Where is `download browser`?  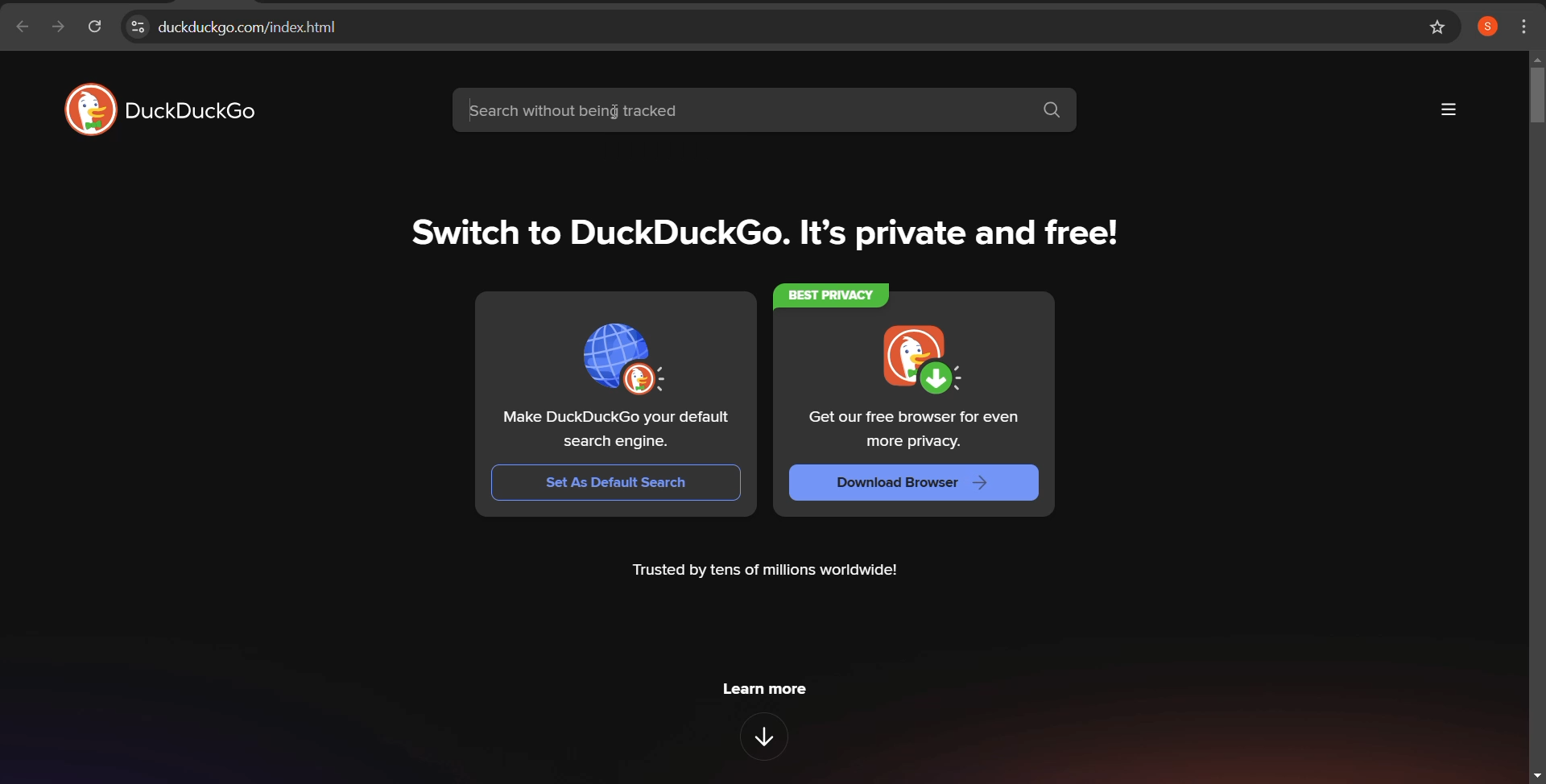 download browser is located at coordinates (912, 359).